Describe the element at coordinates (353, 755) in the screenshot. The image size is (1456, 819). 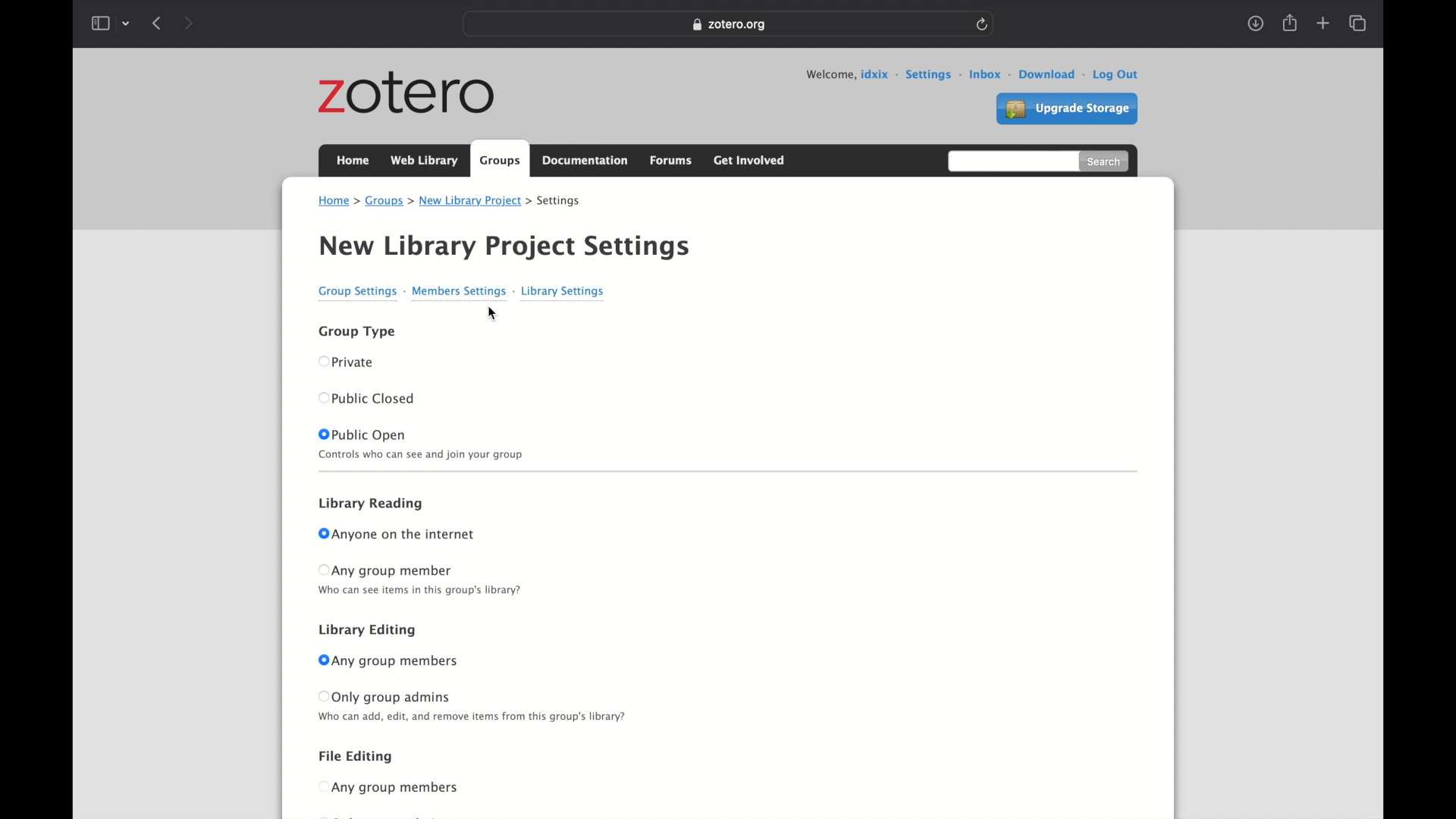
I see `file editing` at that location.